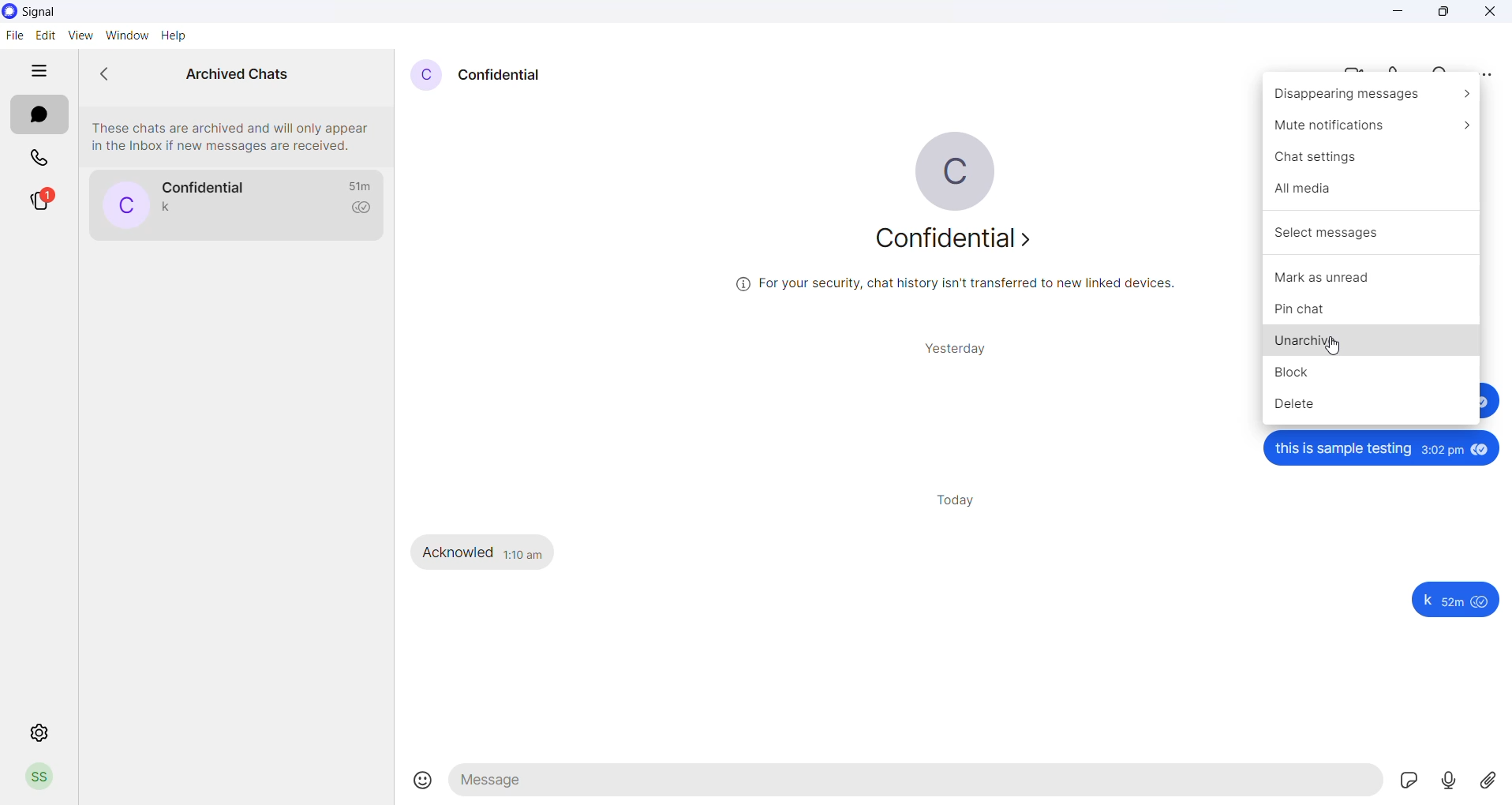 Image resolution: width=1512 pixels, height=805 pixels. Describe the element at coordinates (37, 72) in the screenshot. I see `hide` at that location.